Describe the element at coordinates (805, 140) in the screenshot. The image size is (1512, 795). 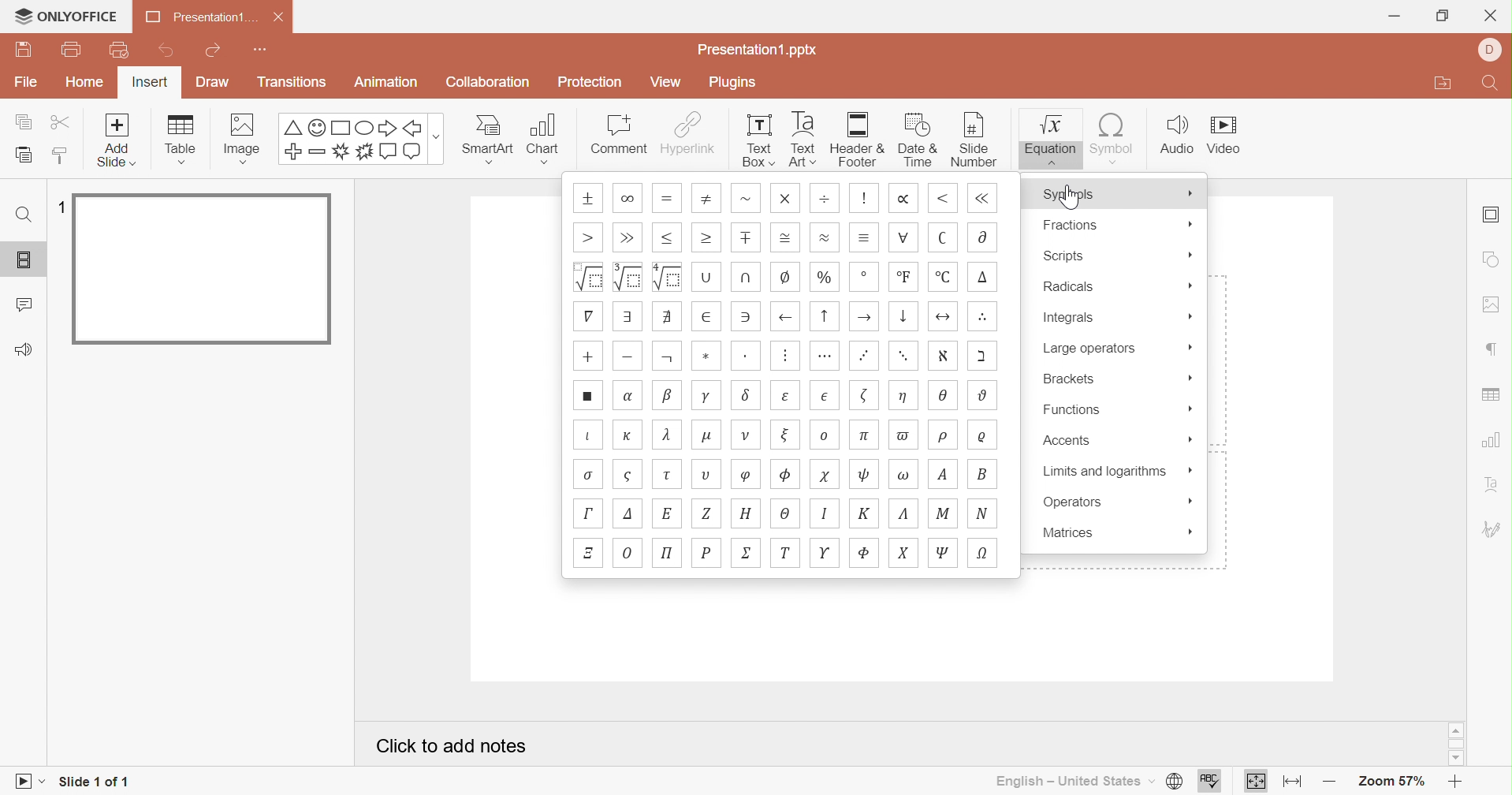
I see `Text Art` at that location.